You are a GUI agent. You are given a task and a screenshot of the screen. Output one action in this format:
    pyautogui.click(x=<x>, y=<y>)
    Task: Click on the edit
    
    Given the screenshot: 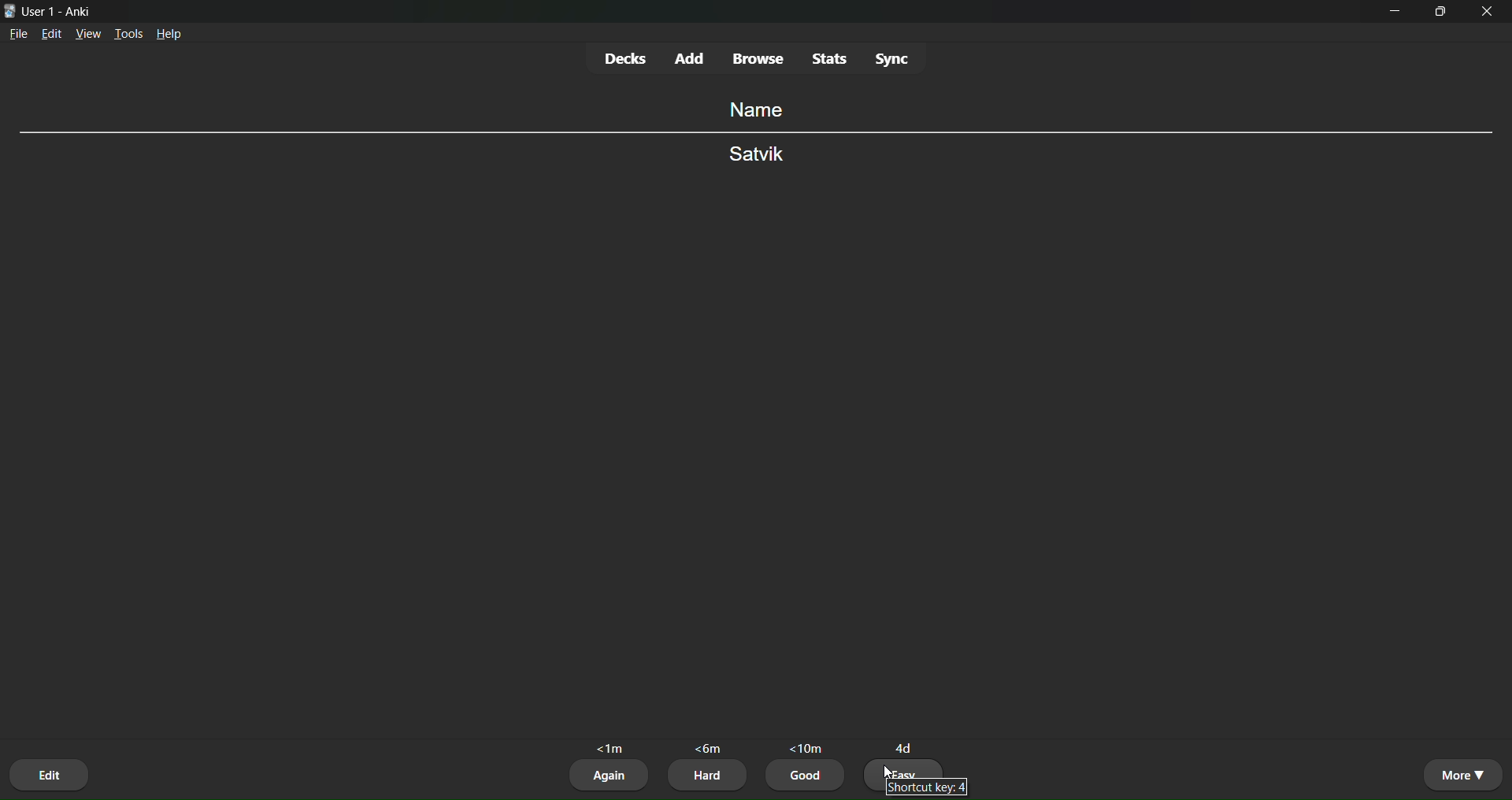 What is the action you would take?
    pyautogui.click(x=51, y=772)
    